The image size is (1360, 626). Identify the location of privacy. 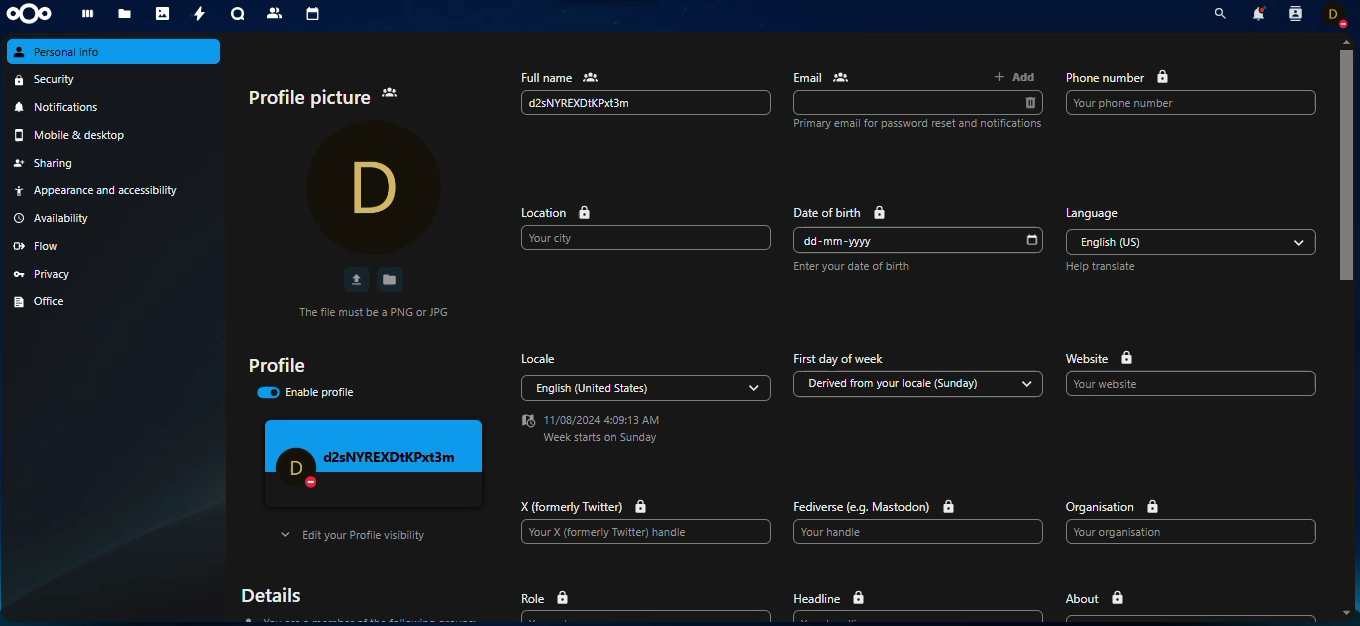
(112, 275).